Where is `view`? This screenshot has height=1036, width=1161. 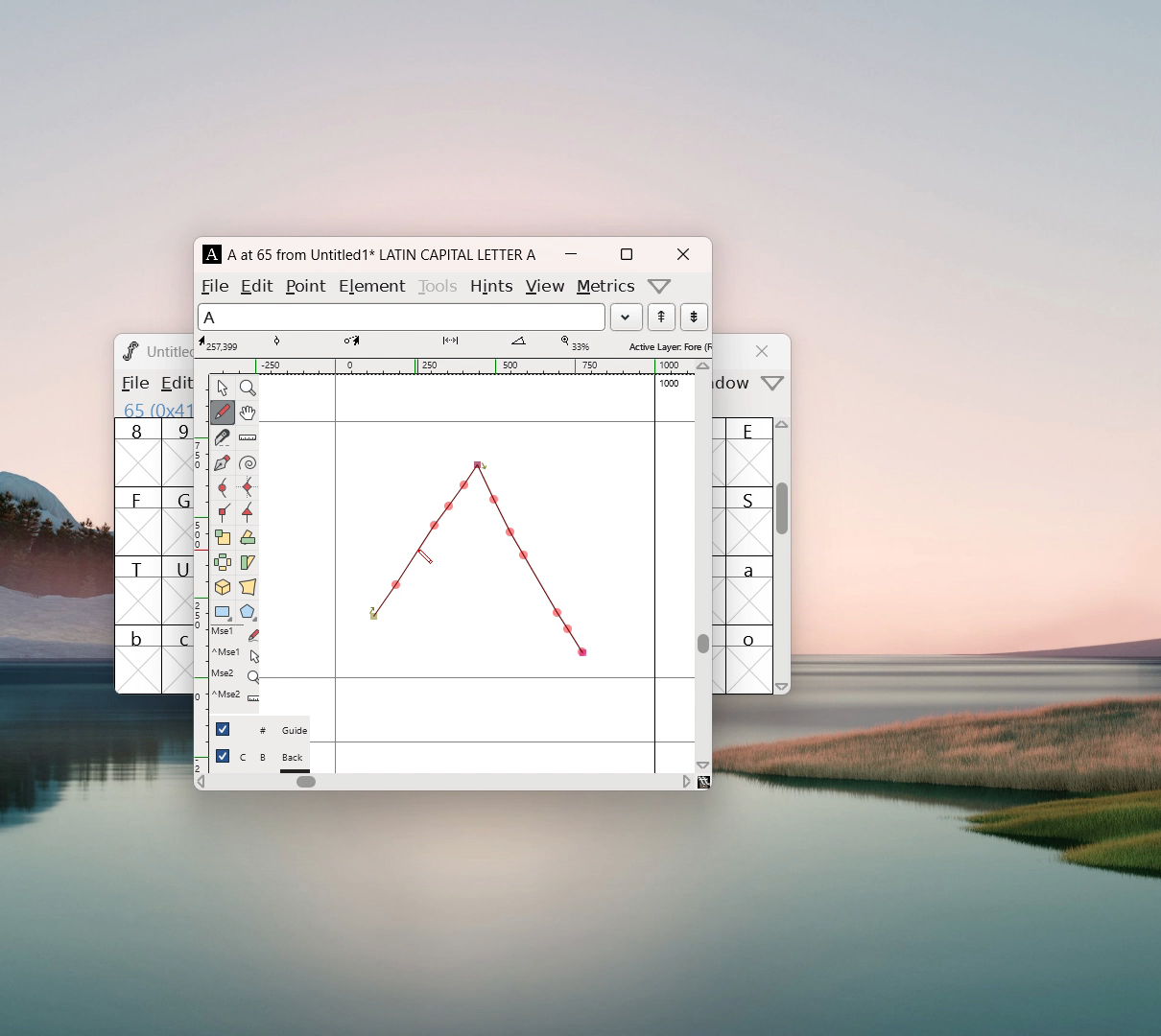 view is located at coordinates (544, 287).